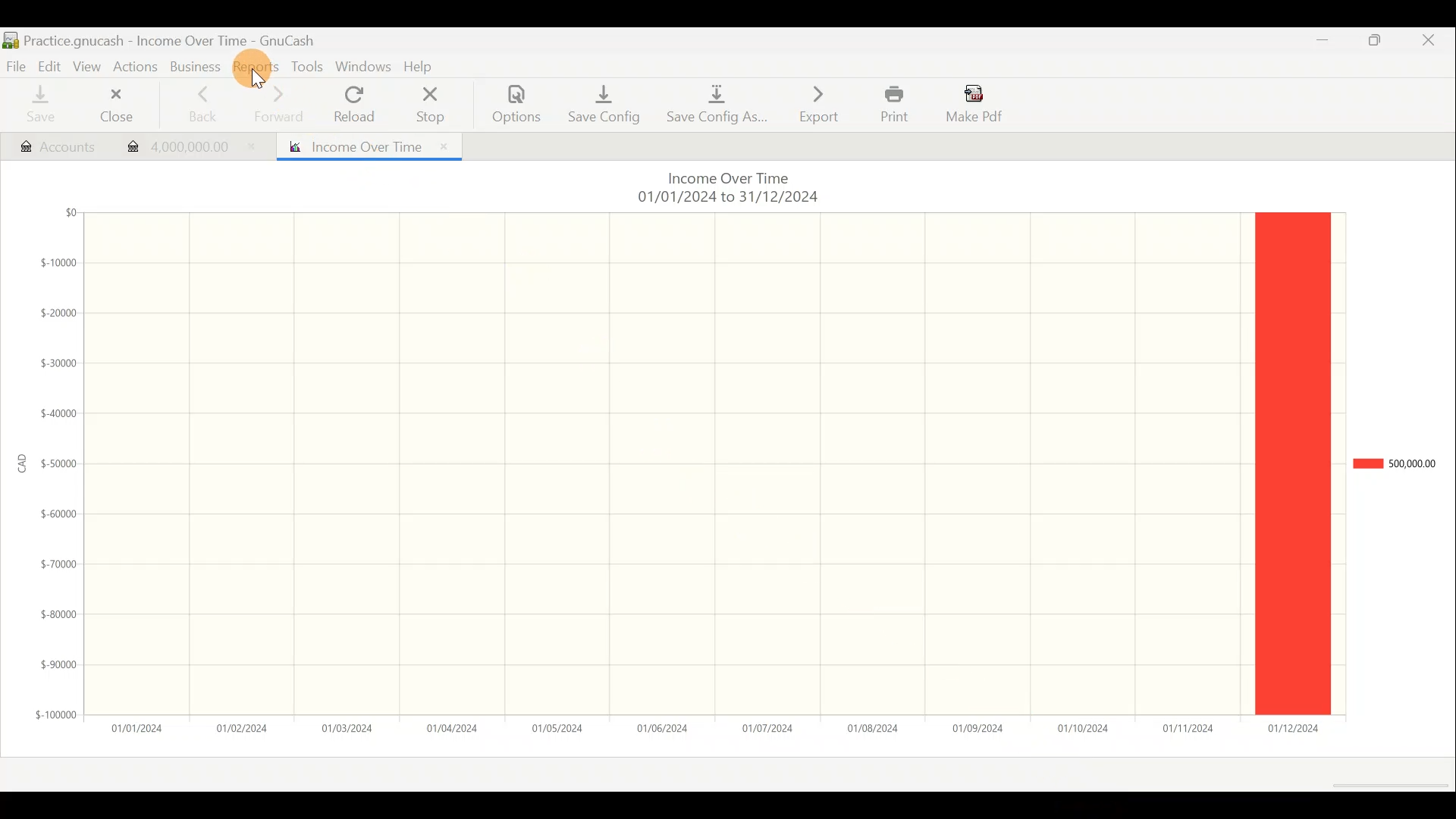 Image resolution: width=1456 pixels, height=819 pixels. I want to click on File, so click(17, 65).